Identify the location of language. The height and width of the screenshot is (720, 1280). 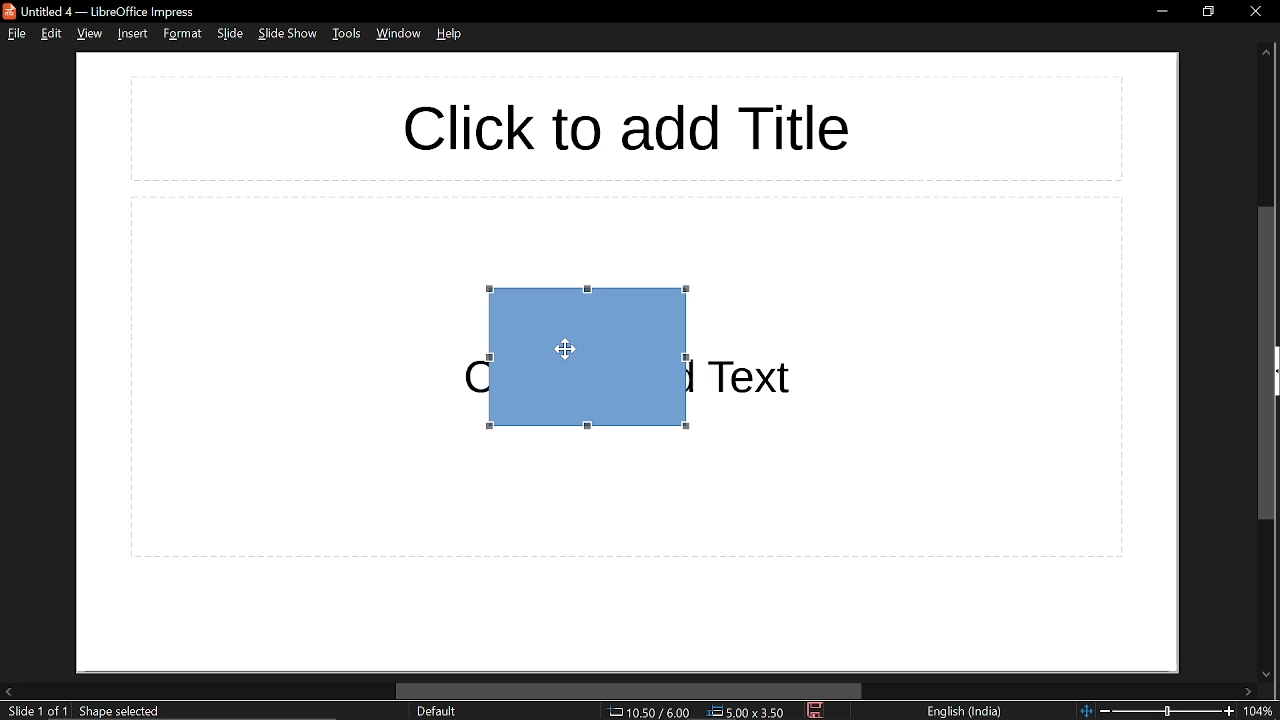
(965, 711).